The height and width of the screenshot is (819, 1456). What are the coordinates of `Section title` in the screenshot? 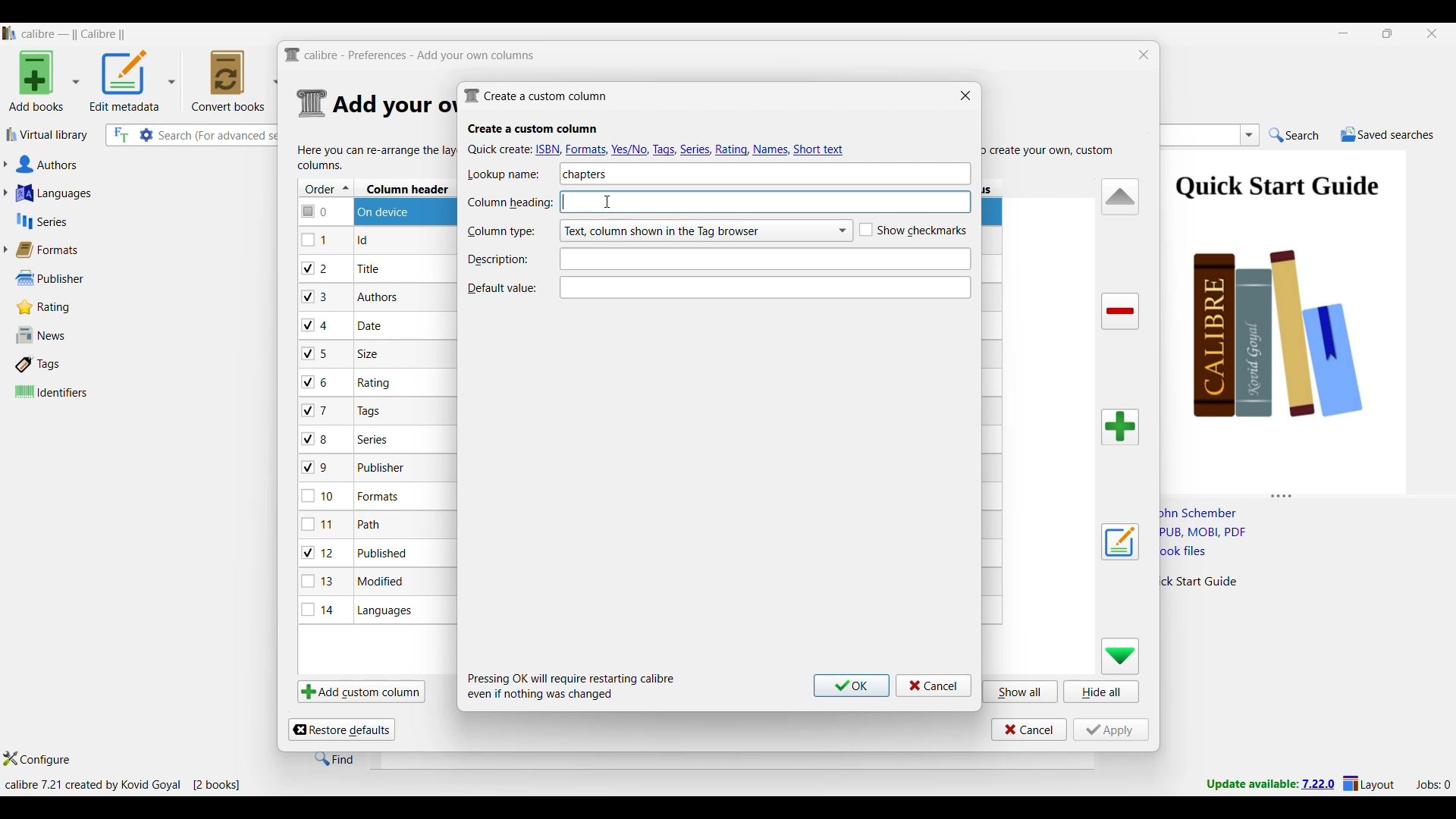 It's located at (533, 129).